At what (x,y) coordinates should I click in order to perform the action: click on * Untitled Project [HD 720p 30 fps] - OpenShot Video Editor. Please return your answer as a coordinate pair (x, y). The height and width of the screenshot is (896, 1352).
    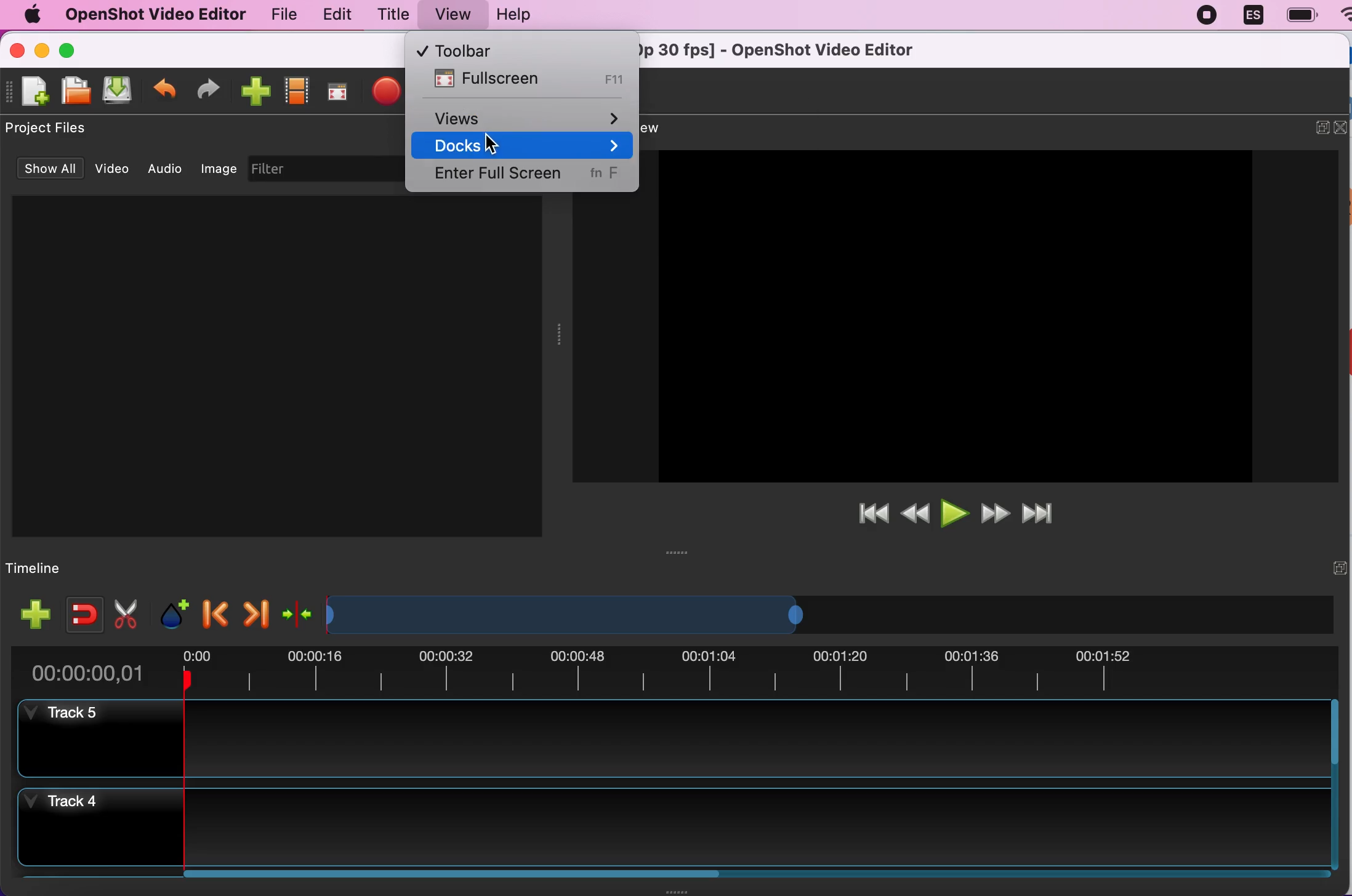
    Looking at the image, I should click on (792, 49).